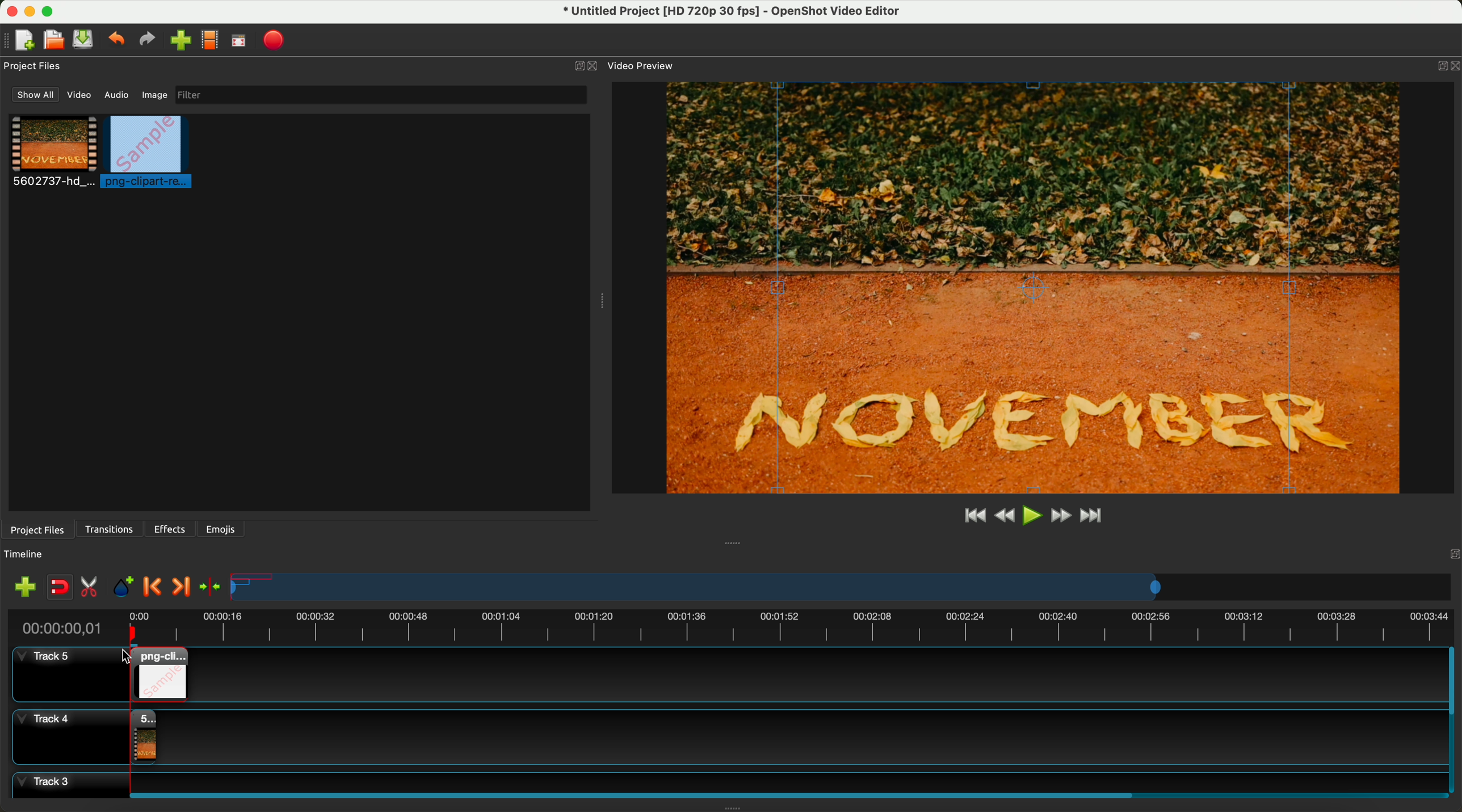 This screenshot has width=1462, height=812. What do you see at coordinates (150, 153) in the screenshot?
I see `click on image` at bounding box center [150, 153].